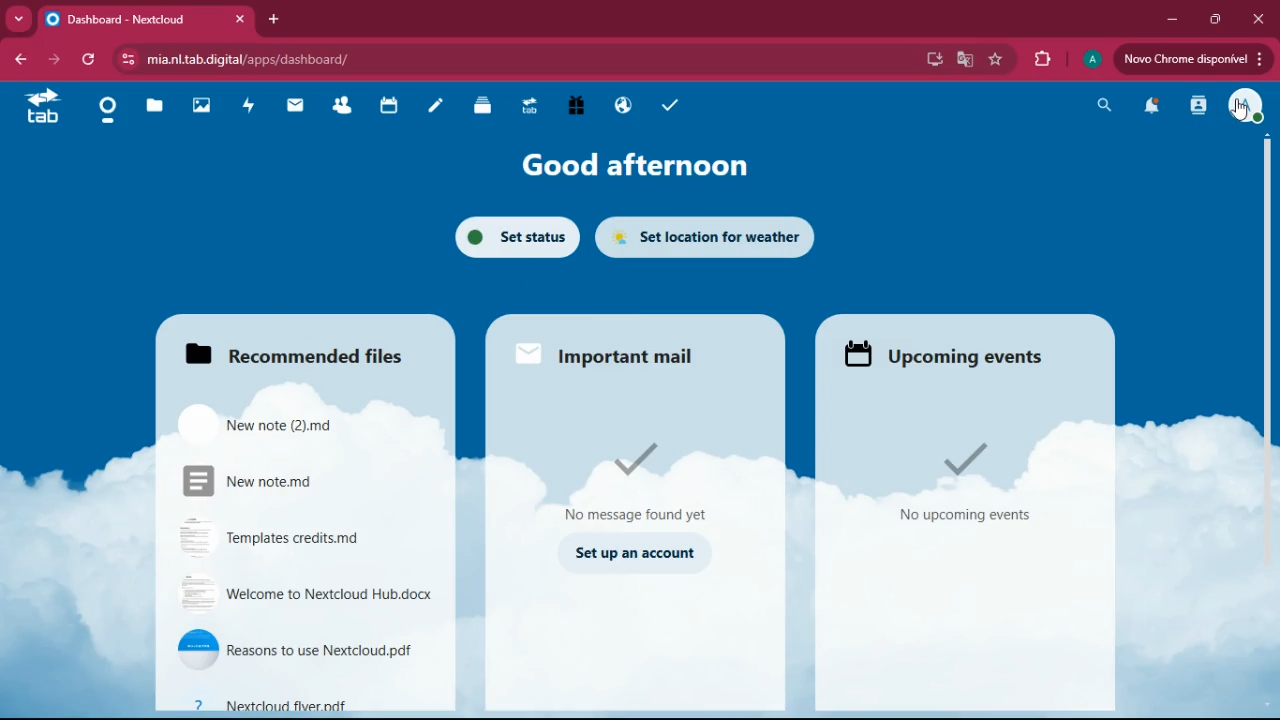 The image size is (1280, 720). I want to click on activity, so click(245, 107).